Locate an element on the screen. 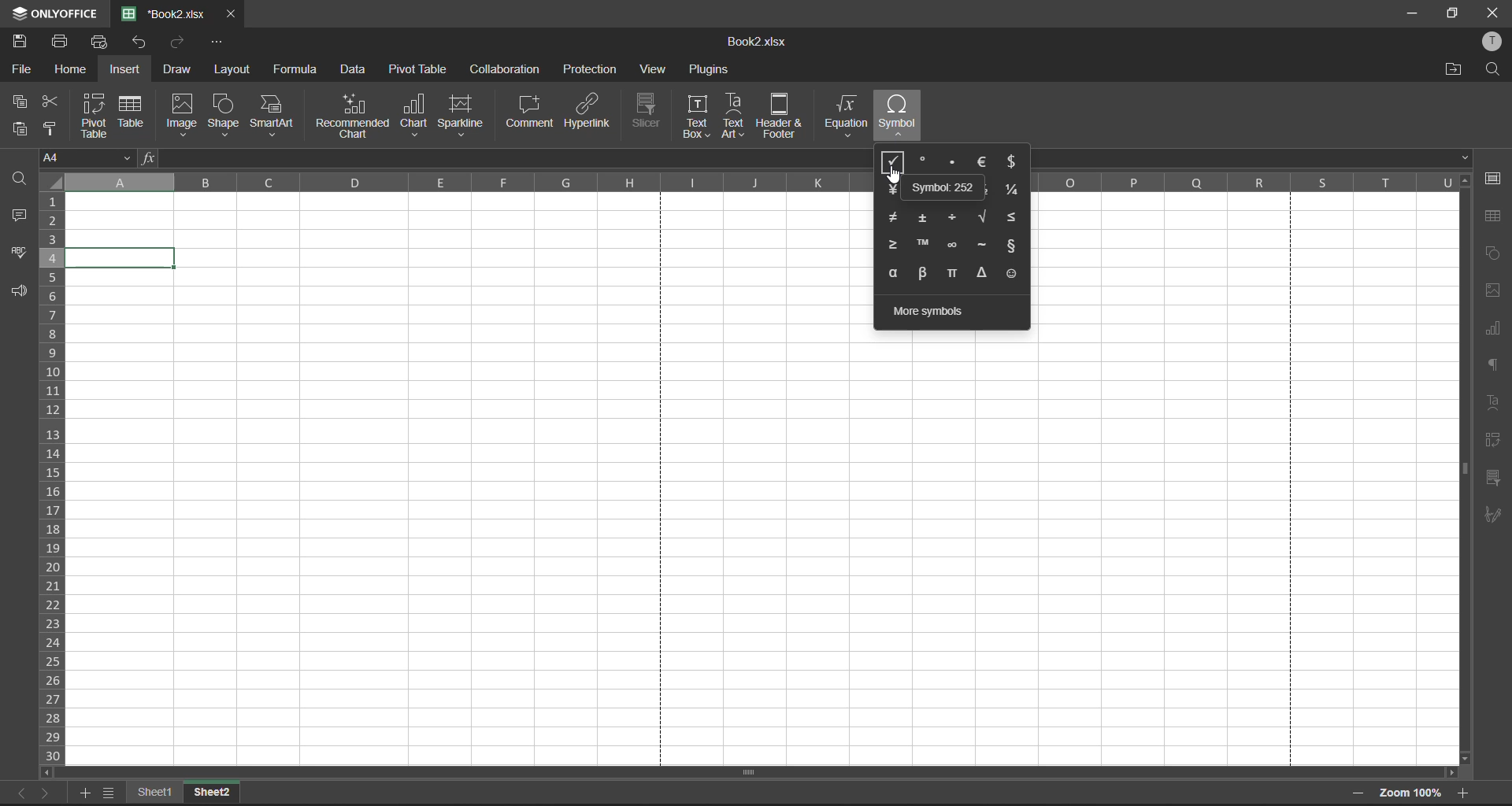 This screenshot has height=806, width=1512. sheet list is located at coordinates (109, 794).